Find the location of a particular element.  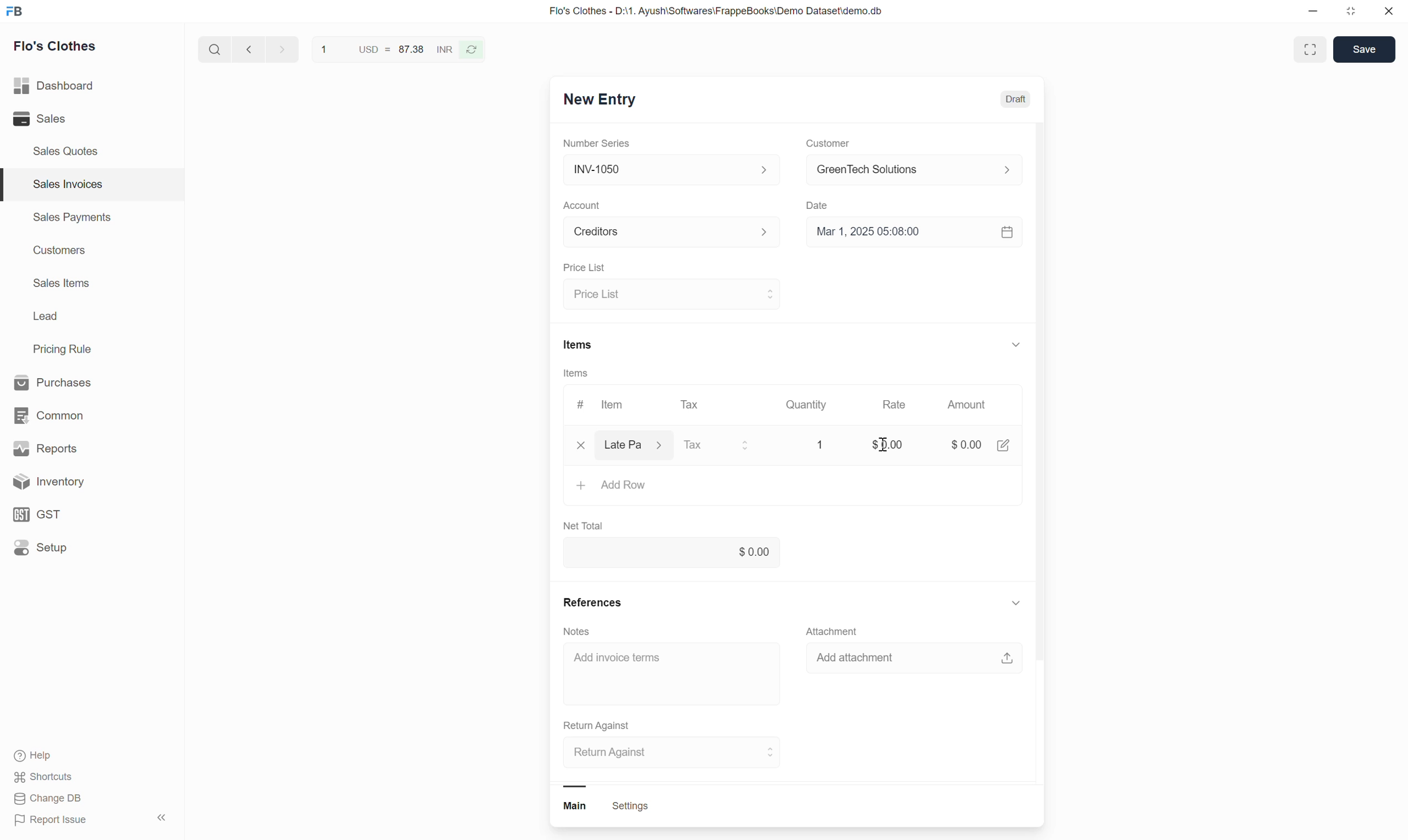

Report Issue  is located at coordinates (60, 822).